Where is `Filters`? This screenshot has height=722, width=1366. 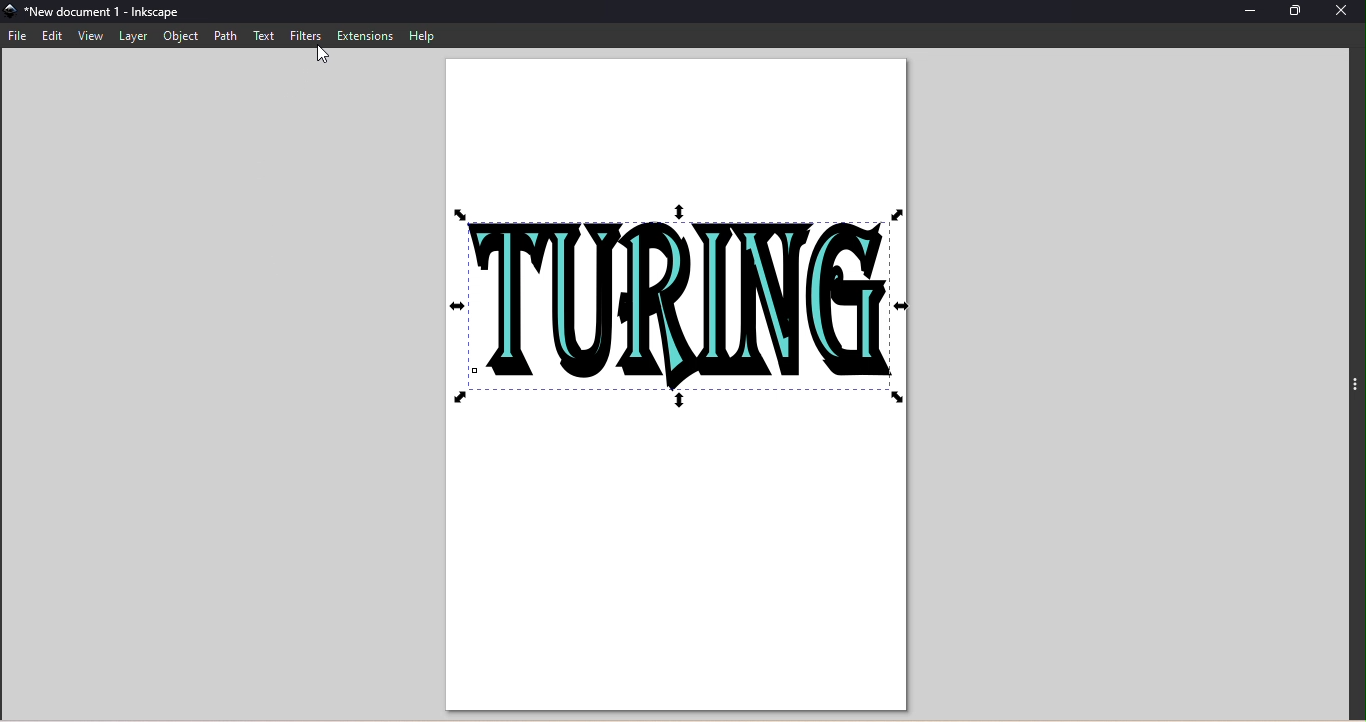
Filters is located at coordinates (307, 37).